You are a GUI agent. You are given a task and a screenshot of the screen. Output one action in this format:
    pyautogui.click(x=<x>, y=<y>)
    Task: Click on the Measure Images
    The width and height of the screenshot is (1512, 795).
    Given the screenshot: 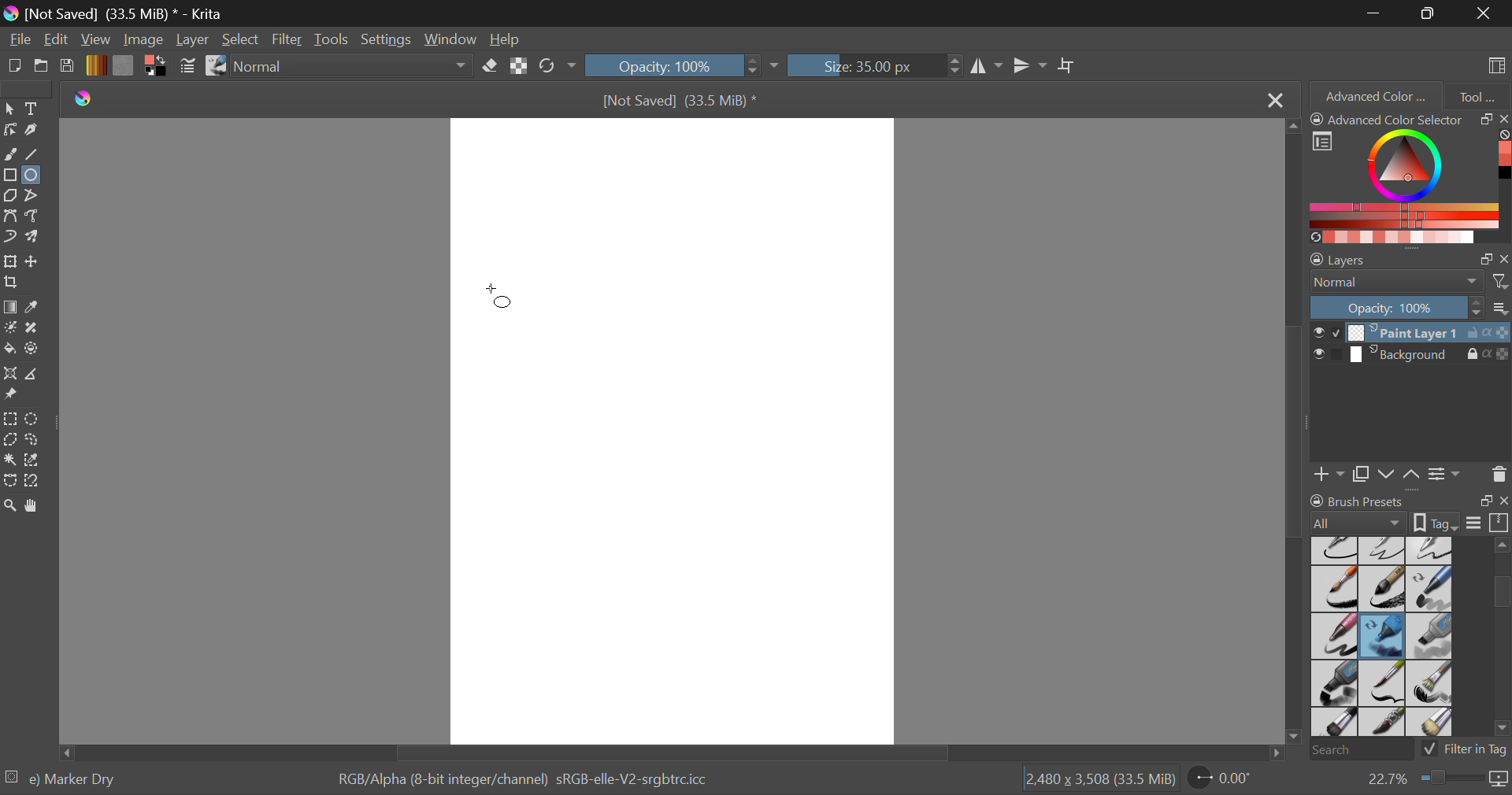 What is the action you would take?
    pyautogui.click(x=34, y=376)
    